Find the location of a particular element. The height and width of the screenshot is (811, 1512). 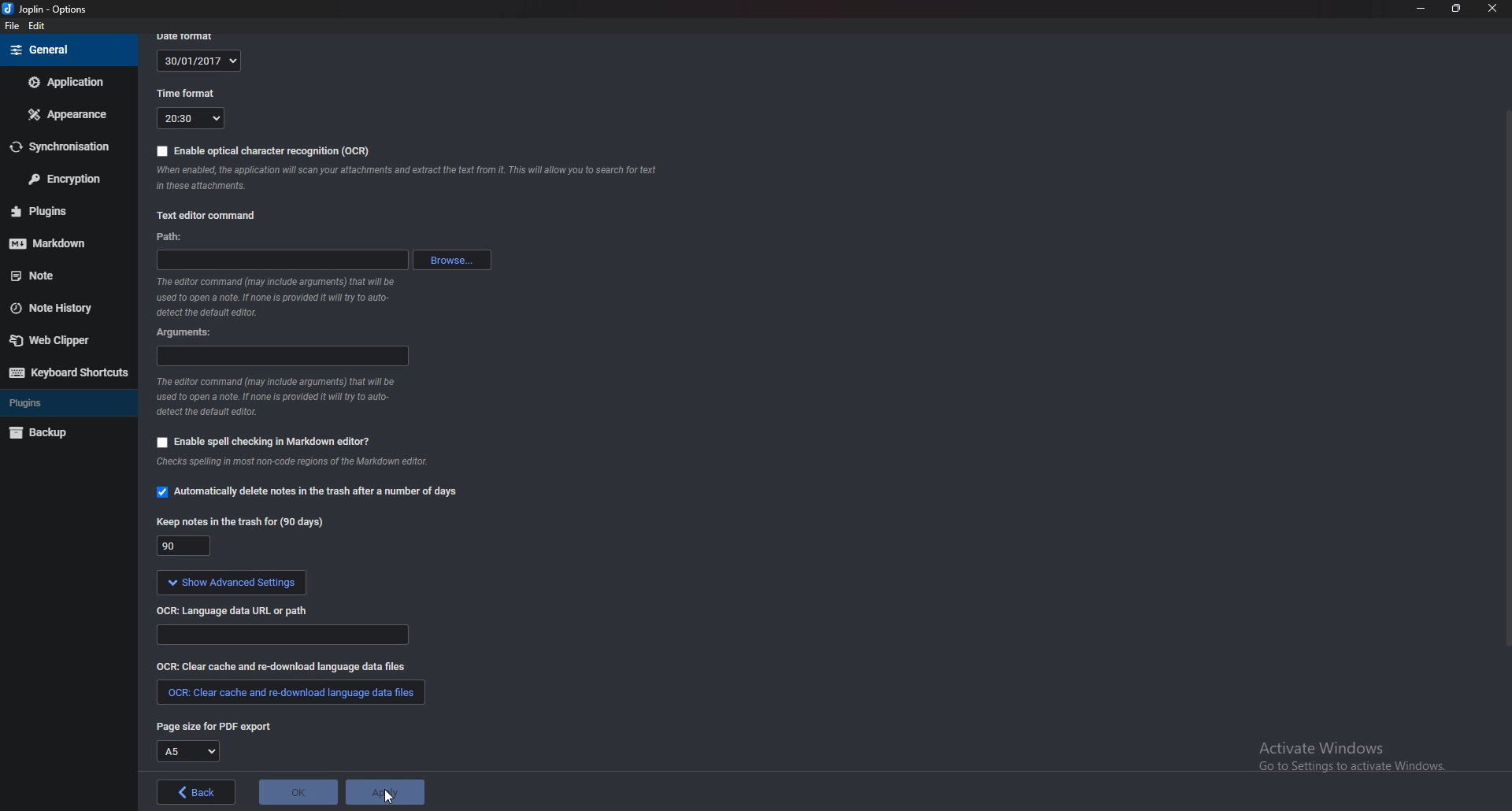

20:30 is located at coordinates (191, 119).